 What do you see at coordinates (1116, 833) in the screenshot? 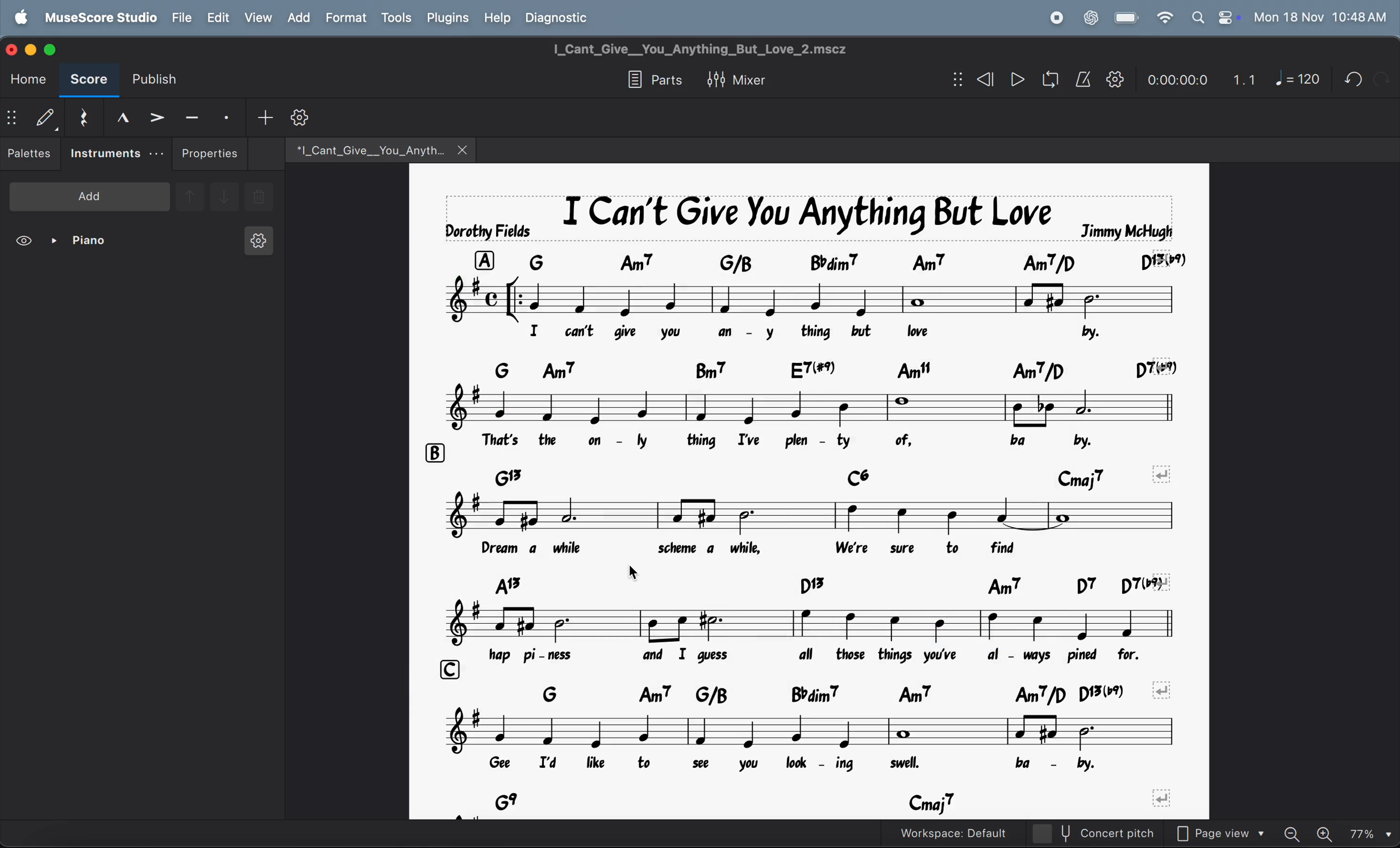
I see `concert pitch` at bounding box center [1116, 833].